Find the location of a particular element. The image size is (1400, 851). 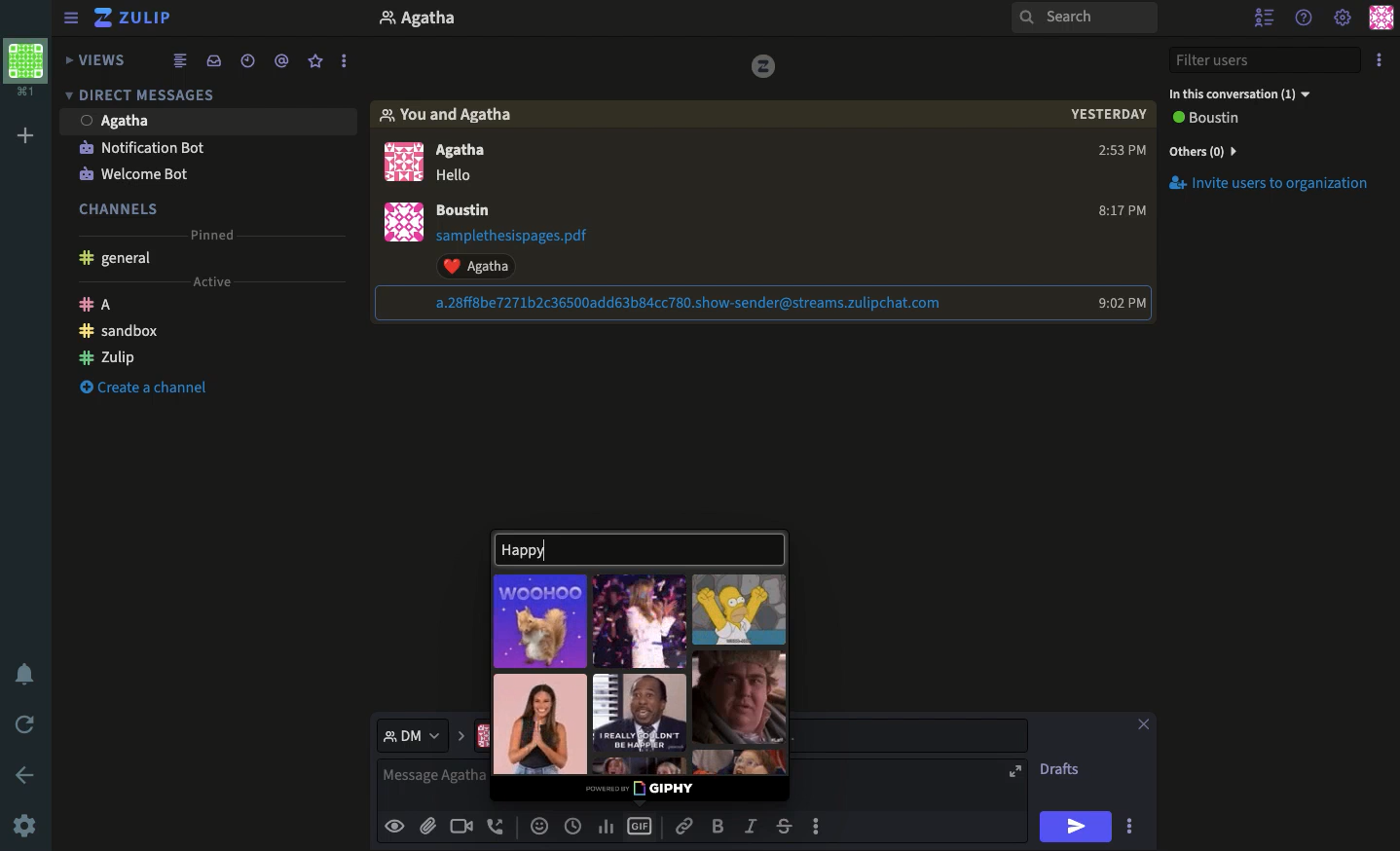

search is located at coordinates (1085, 23).